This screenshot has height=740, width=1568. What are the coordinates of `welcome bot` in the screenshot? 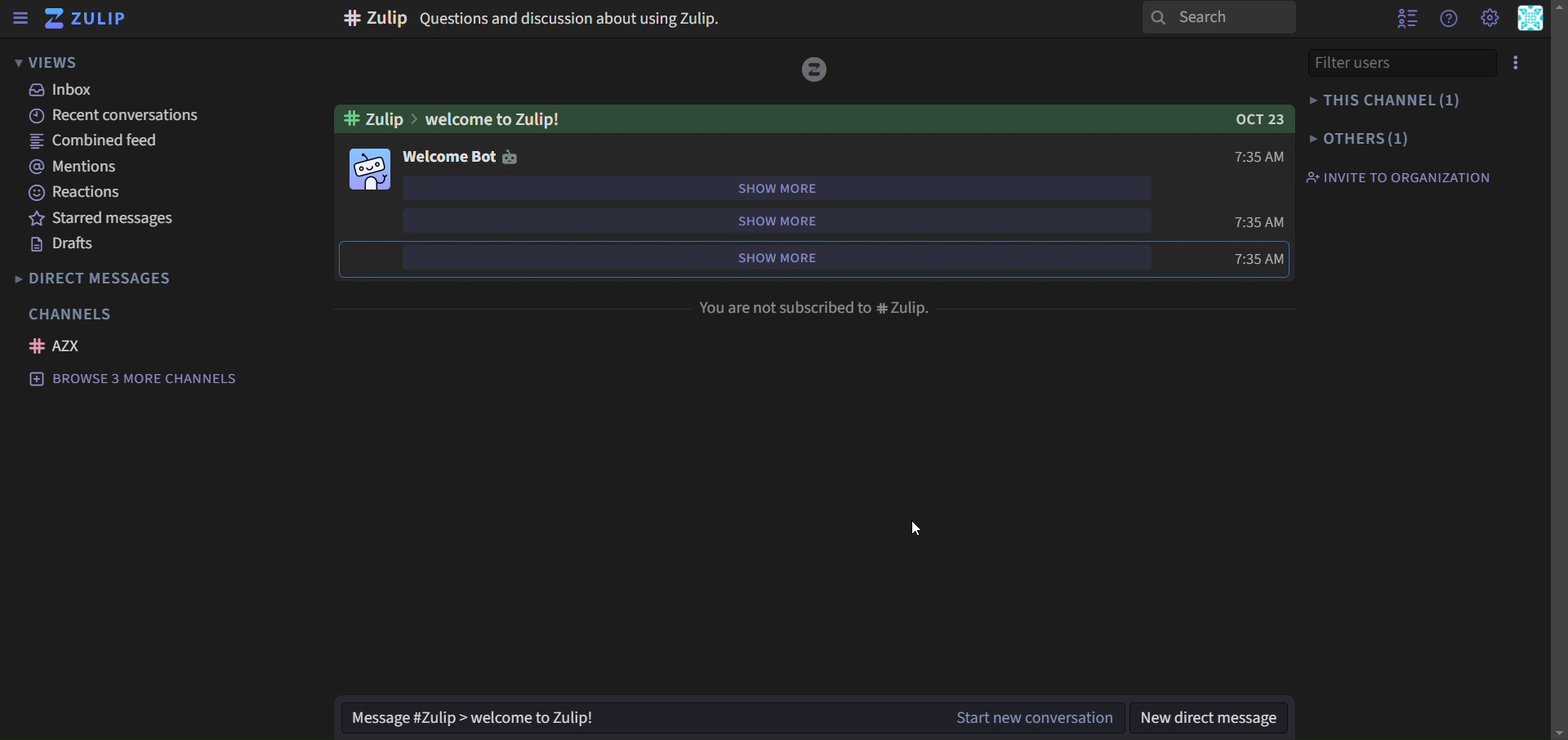 It's located at (459, 157).